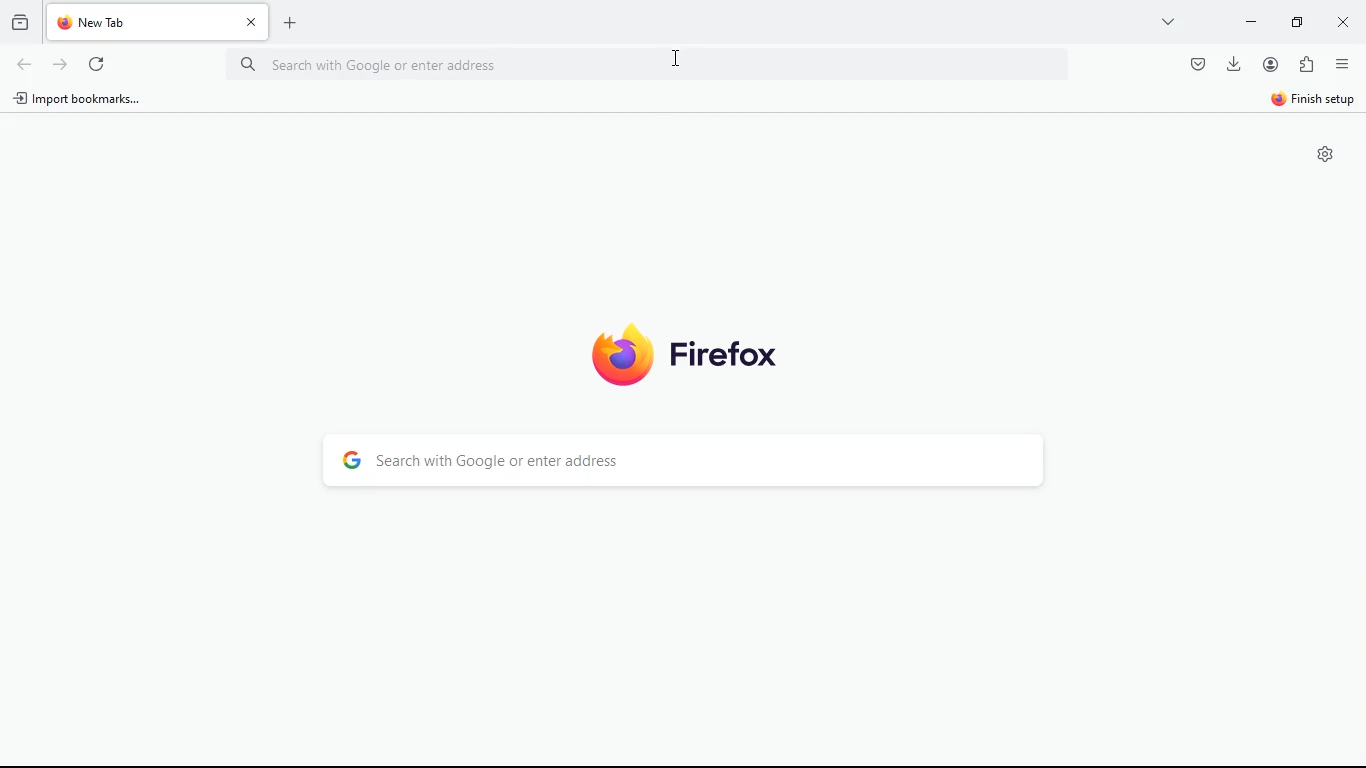  What do you see at coordinates (1340, 22) in the screenshot?
I see `close` at bounding box center [1340, 22].